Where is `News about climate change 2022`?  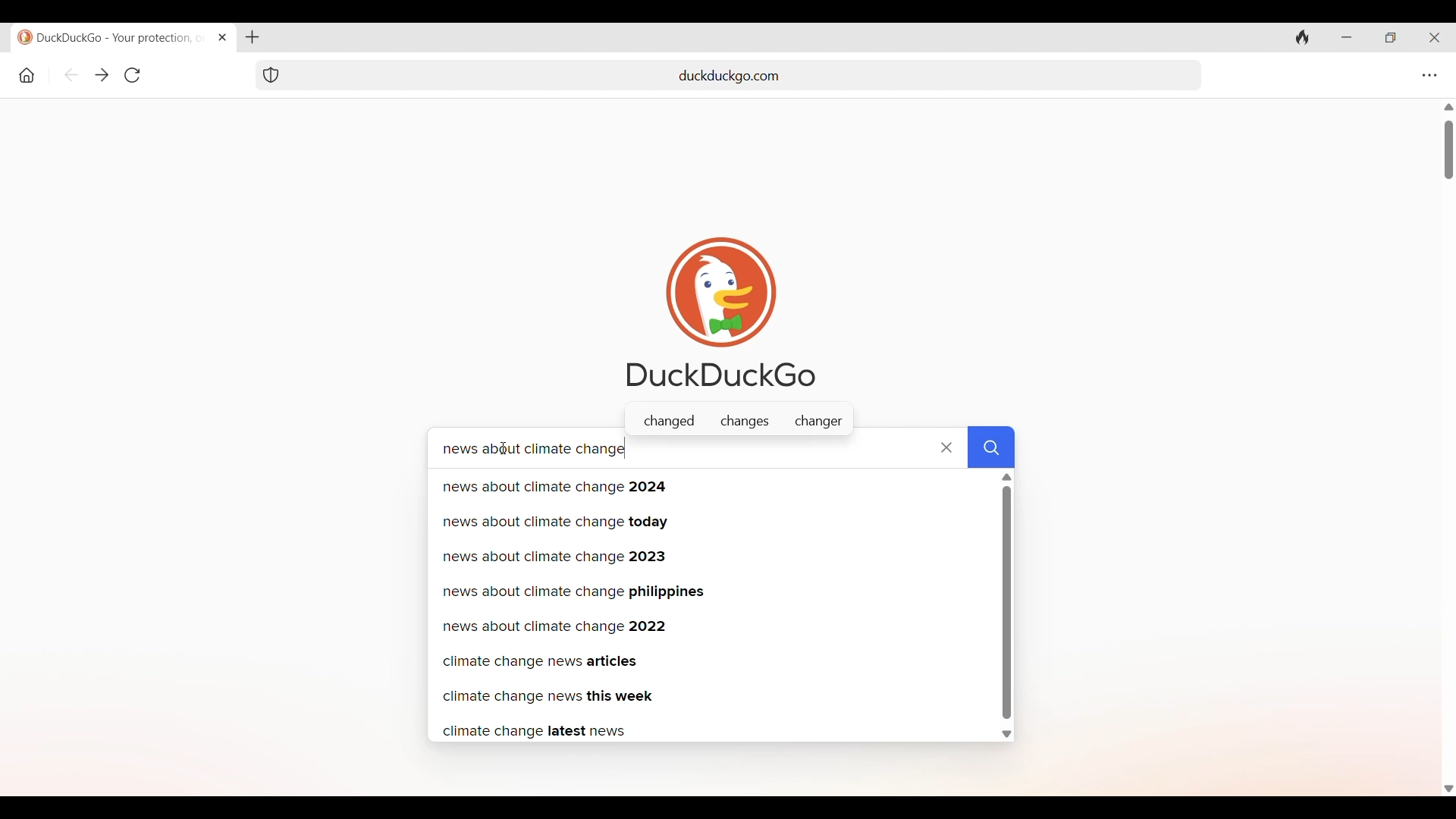
News about climate change 2022 is located at coordinates (711, 625).